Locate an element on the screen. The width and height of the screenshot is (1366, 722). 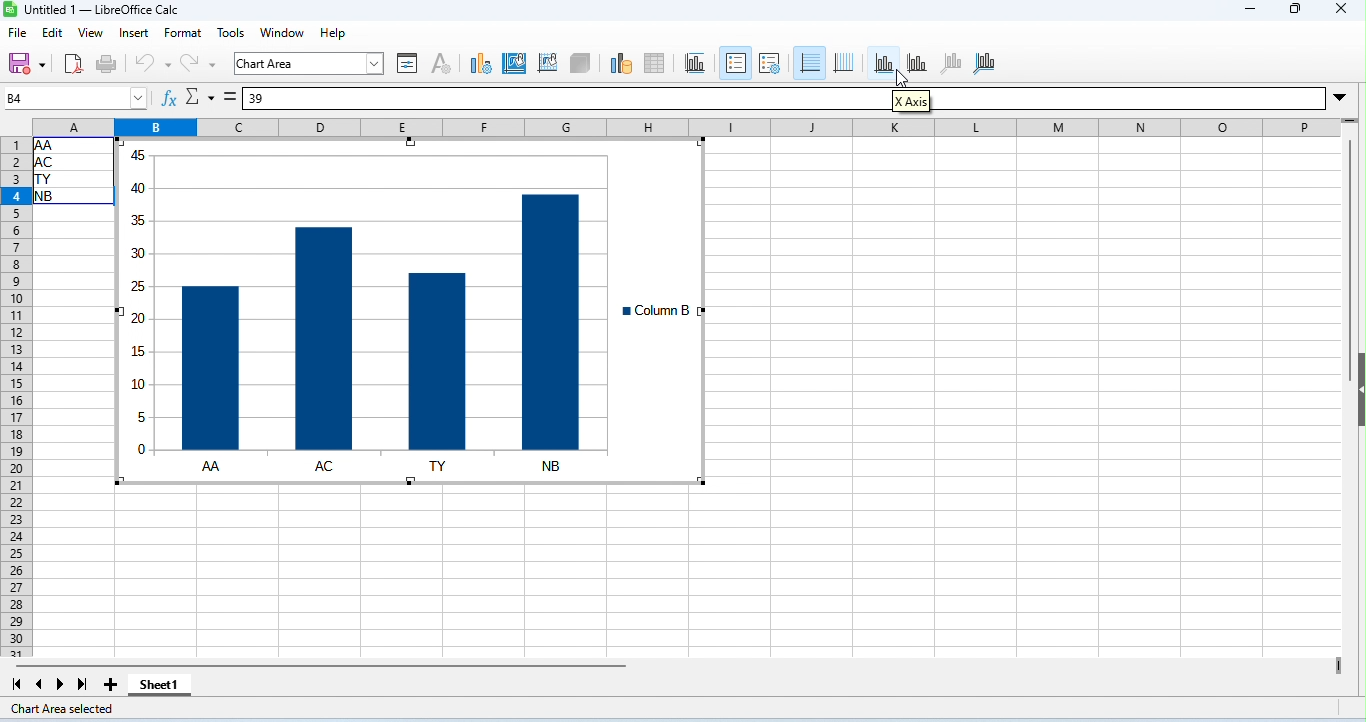
export pdf is located at coordinates (71, 65).